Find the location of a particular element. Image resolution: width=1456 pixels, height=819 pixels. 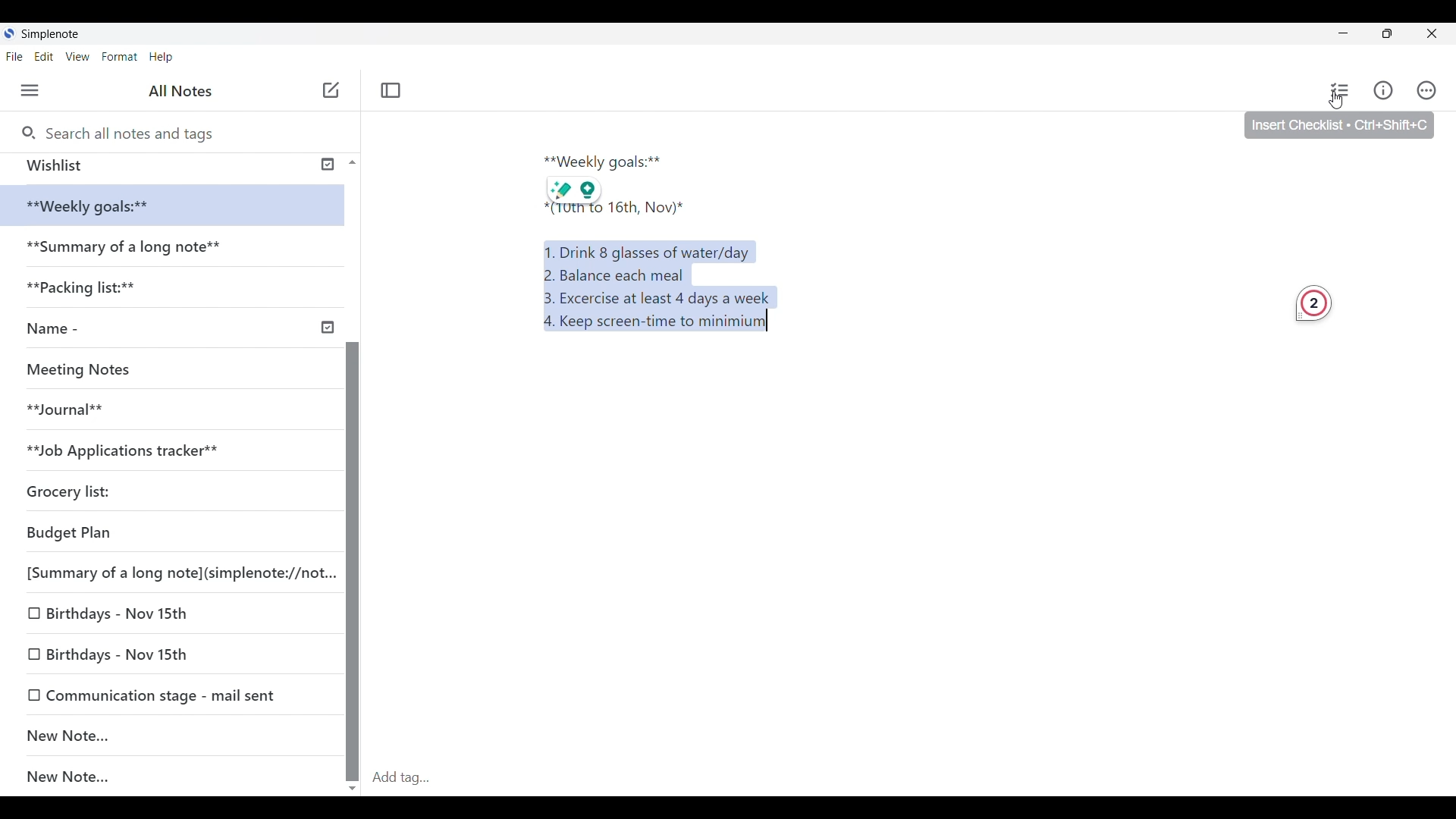

2. Balance each meal is located at coordinates (615, 275).